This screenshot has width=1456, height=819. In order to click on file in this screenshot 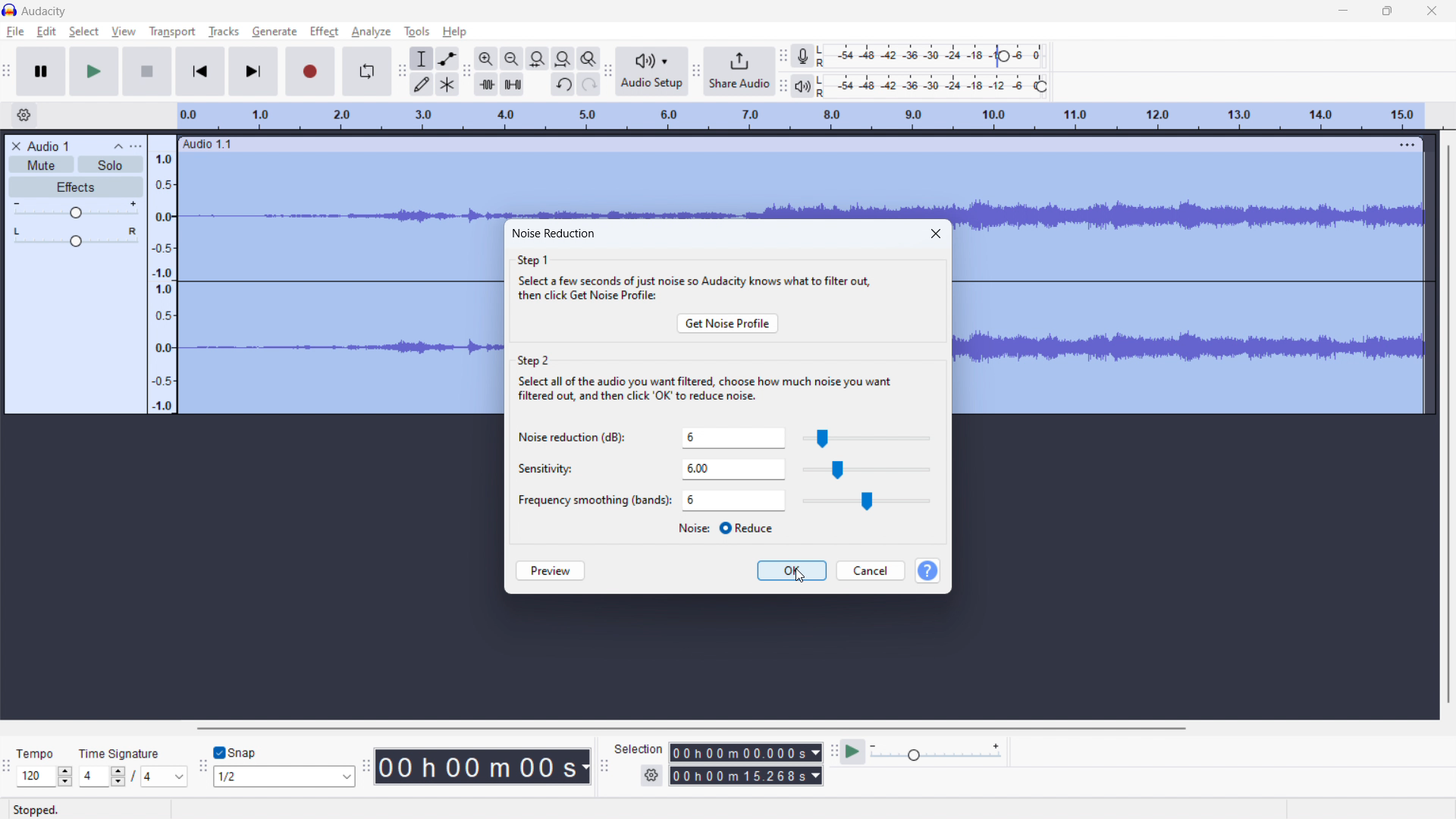, I will do `click(15, 31)`.